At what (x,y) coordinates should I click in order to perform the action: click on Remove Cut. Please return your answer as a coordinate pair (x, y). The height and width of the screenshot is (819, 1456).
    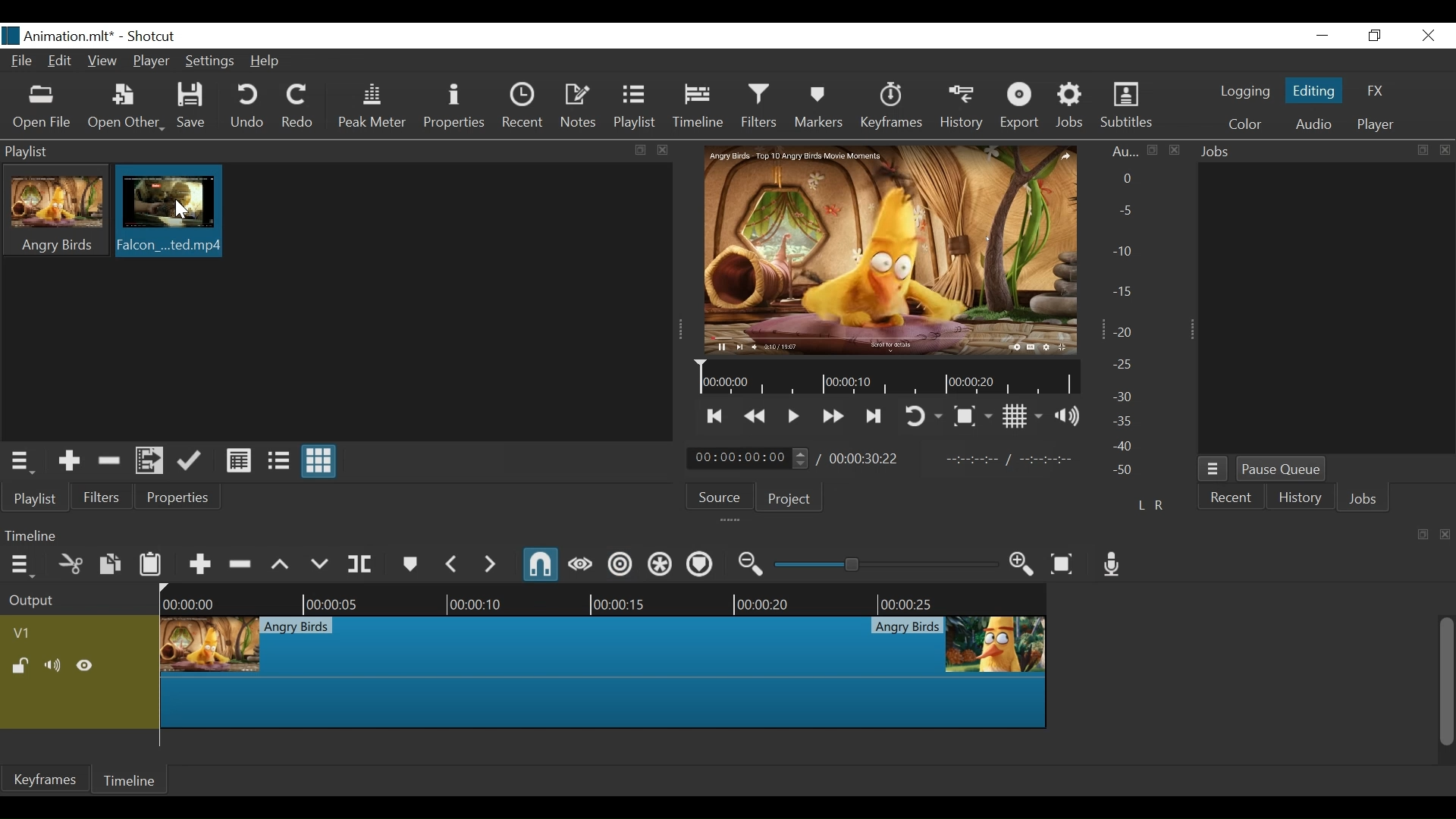
    Looking at the image, I should click on (110, 460).